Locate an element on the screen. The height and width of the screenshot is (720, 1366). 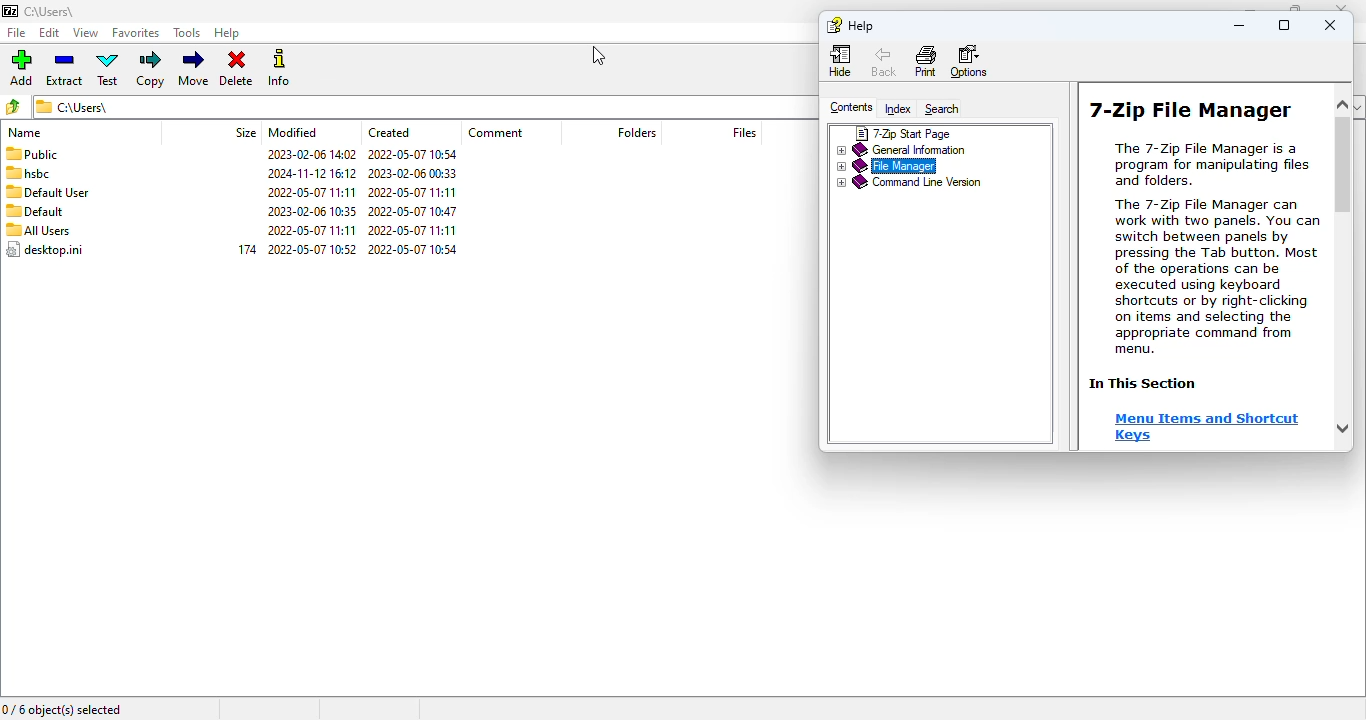
help is located at coordinates (861, 27).